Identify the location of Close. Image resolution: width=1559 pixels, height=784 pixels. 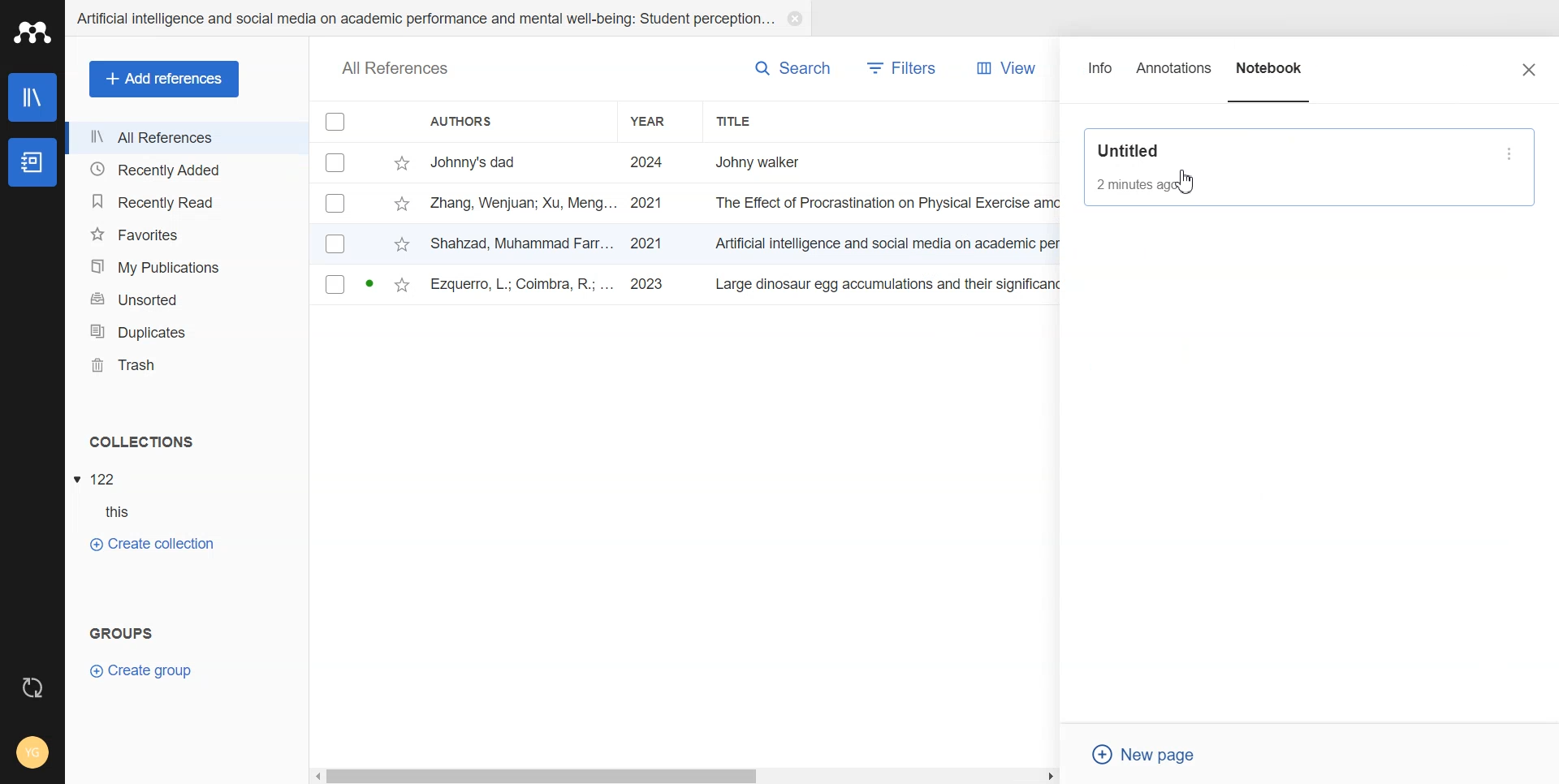
(794, 19).